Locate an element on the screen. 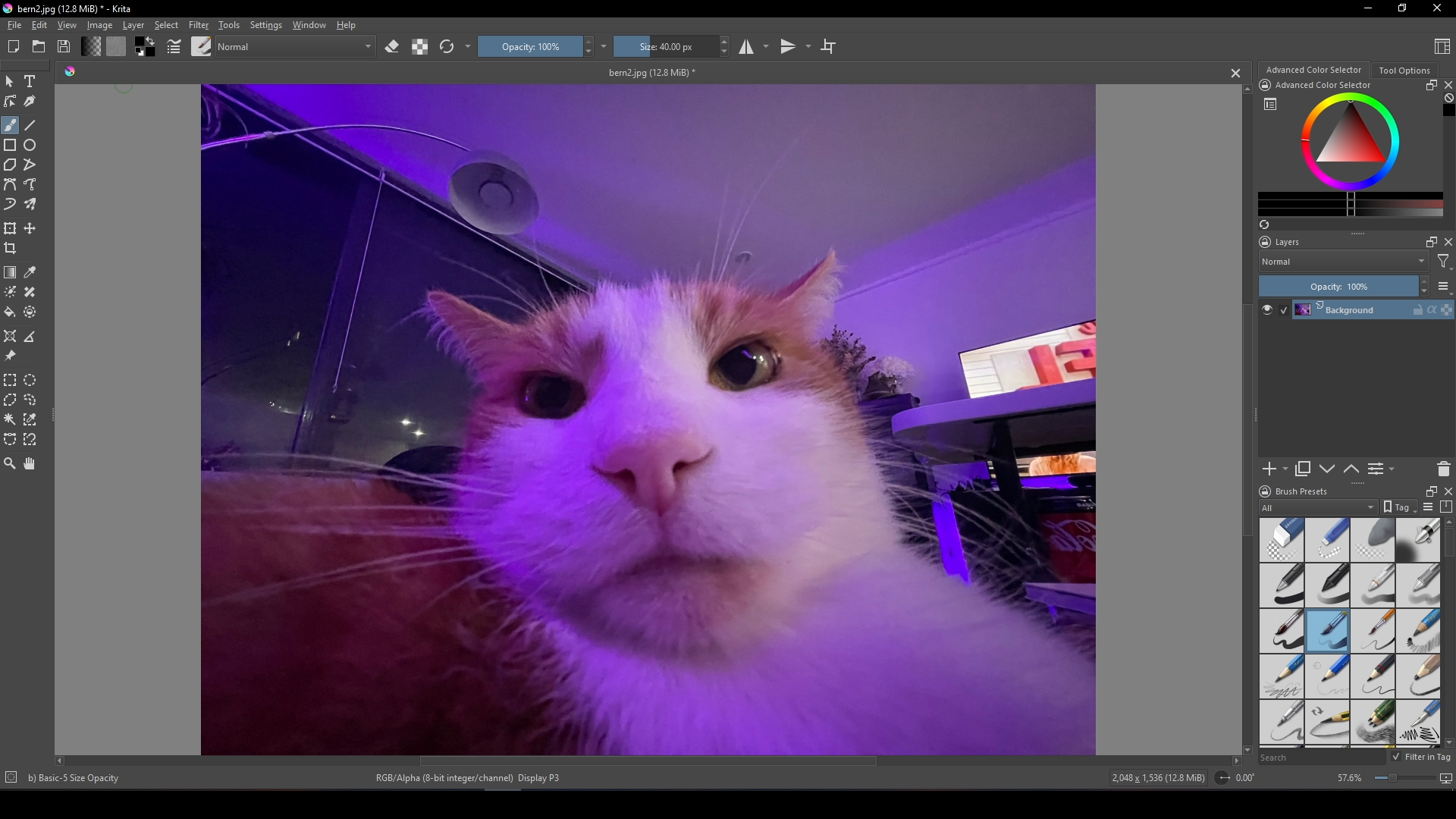  Color wheel is located at coordinates (1349, 141).